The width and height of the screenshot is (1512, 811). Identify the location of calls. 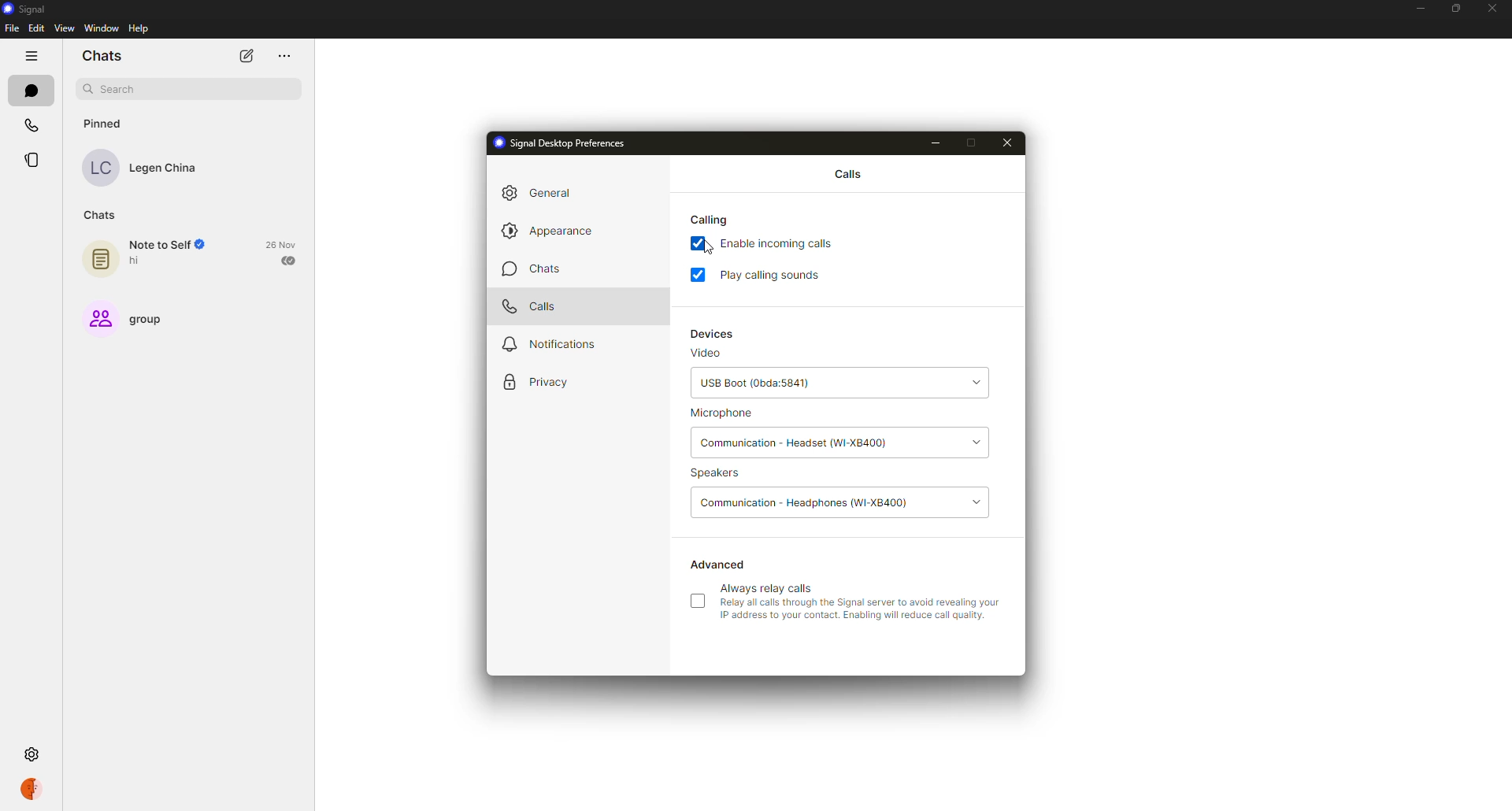
(849, 172).